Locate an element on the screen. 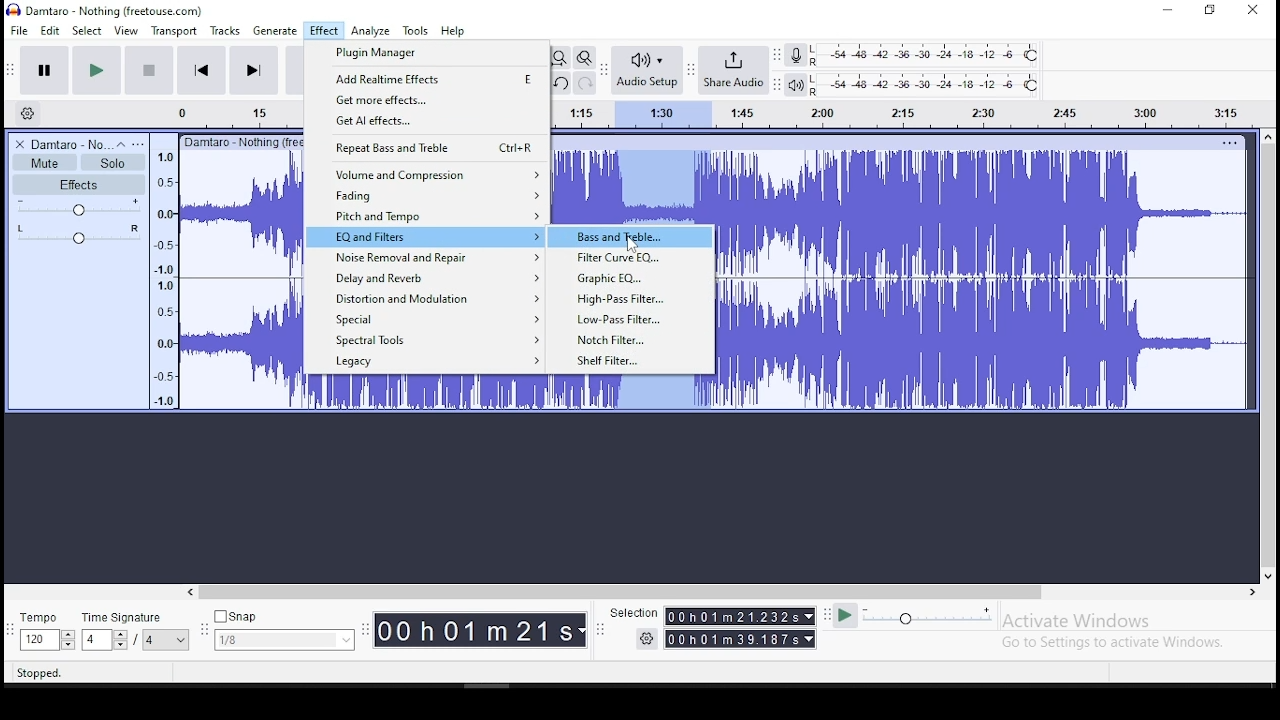 This screenshot has height=720, width=1280. Maximize is located at coordinates (1210, 10).